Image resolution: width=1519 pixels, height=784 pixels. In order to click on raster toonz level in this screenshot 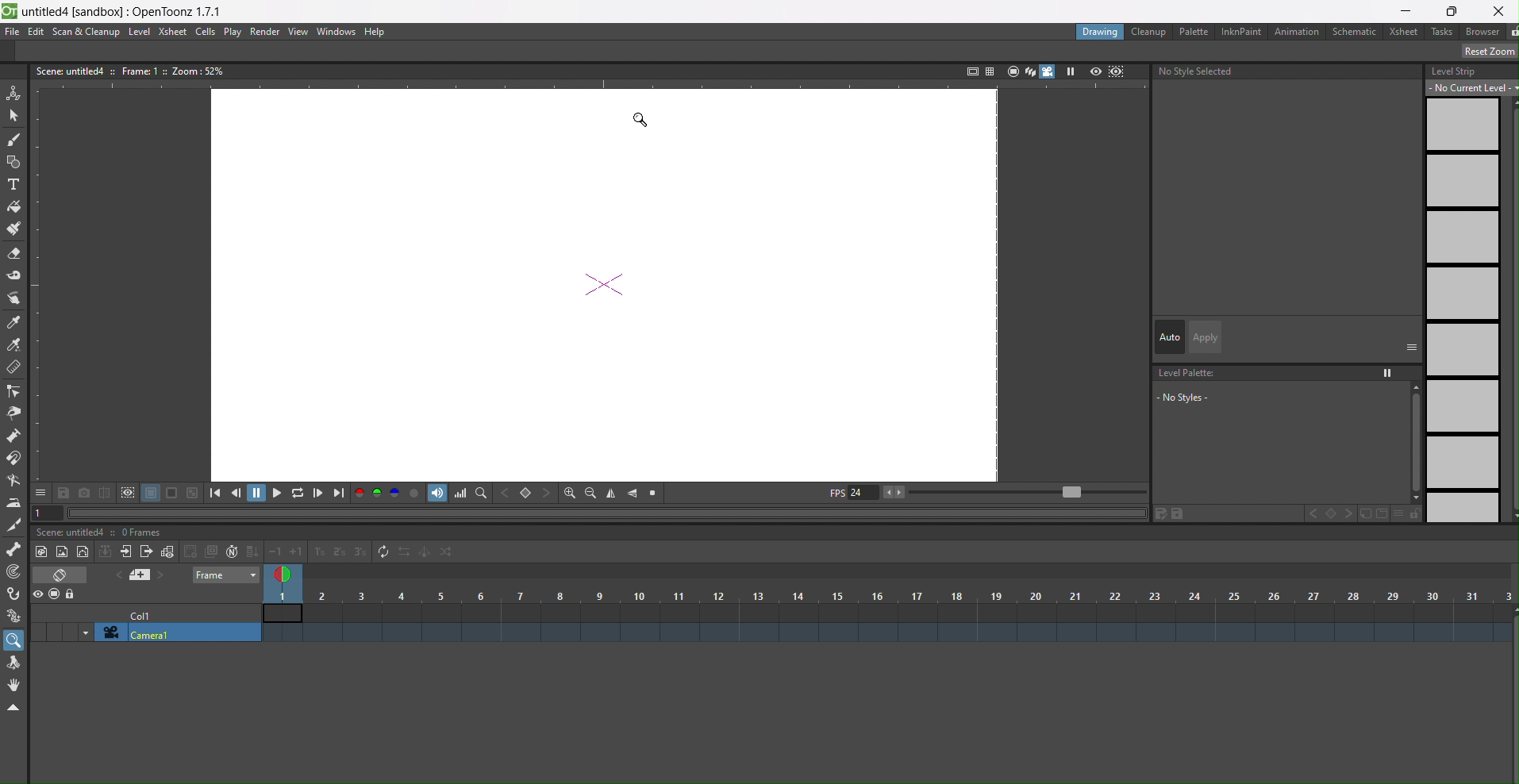, I will do `click(40, 551)`.